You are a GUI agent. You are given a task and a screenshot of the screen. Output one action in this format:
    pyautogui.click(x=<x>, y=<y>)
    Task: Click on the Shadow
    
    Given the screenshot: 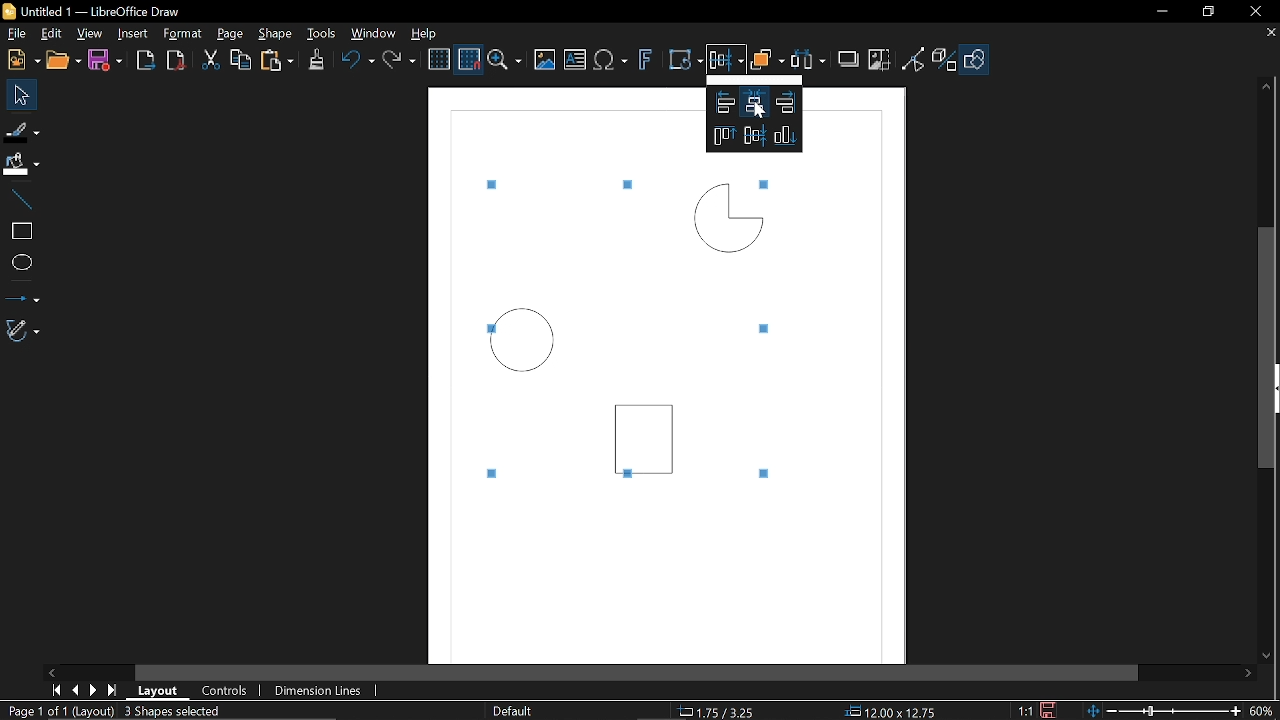 What is the action you would take?
    pyautogui.click(x=848, y=61)
    